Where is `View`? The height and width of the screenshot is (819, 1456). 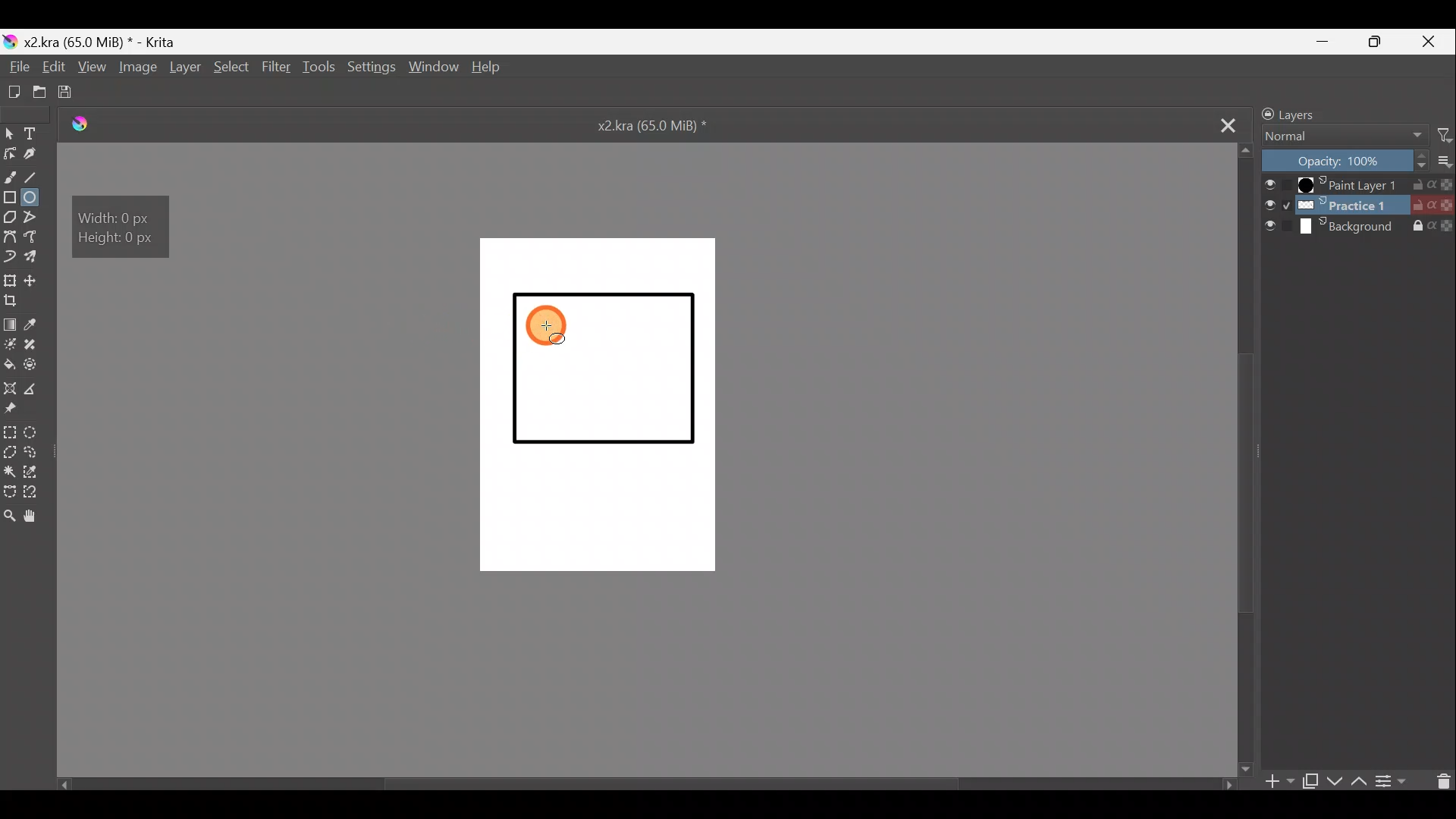
View is located at coordinates (95, 68).